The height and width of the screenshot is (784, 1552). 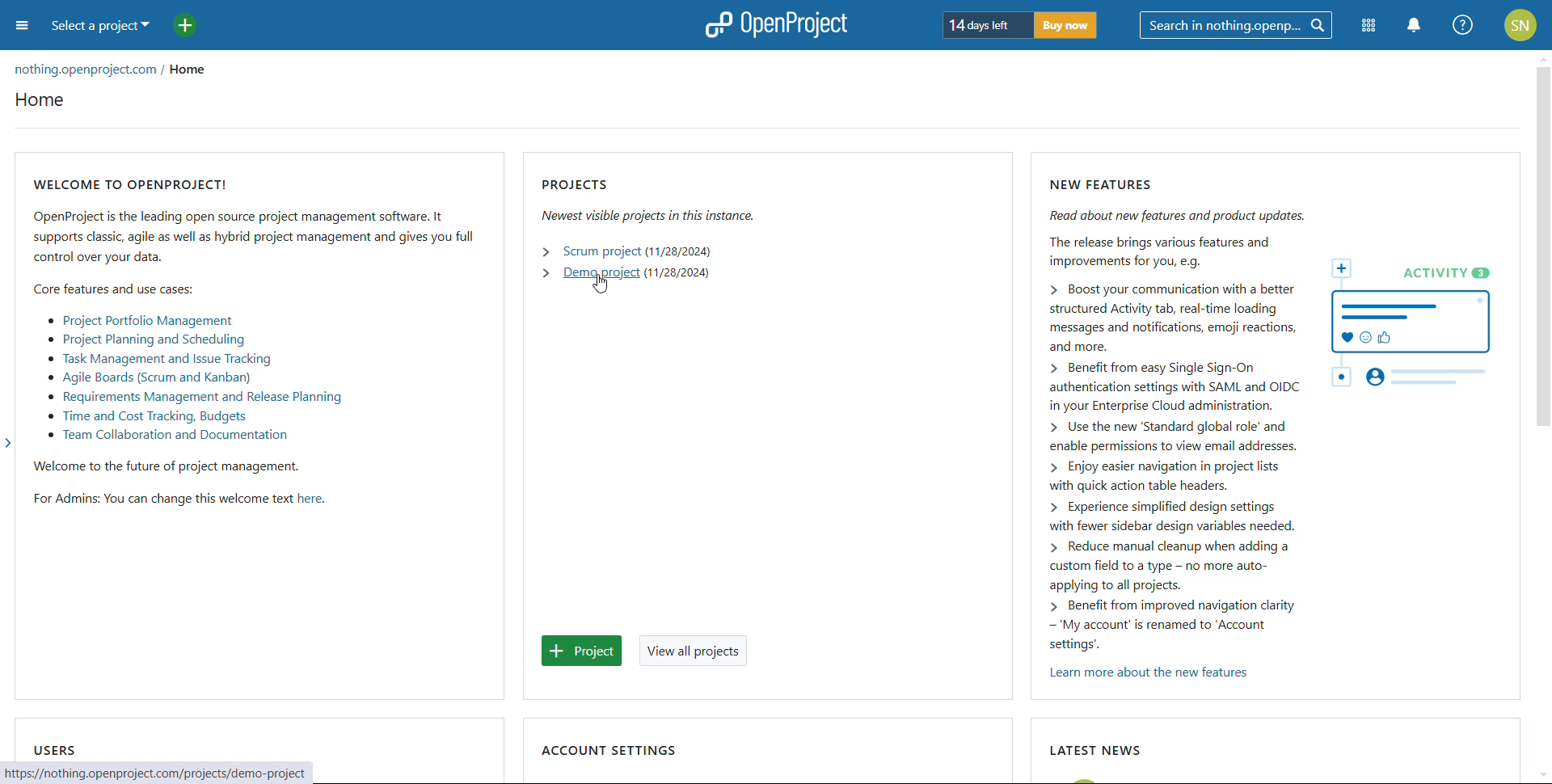 I want to click on NEW FEATURES, so click(x=1109, y=185).